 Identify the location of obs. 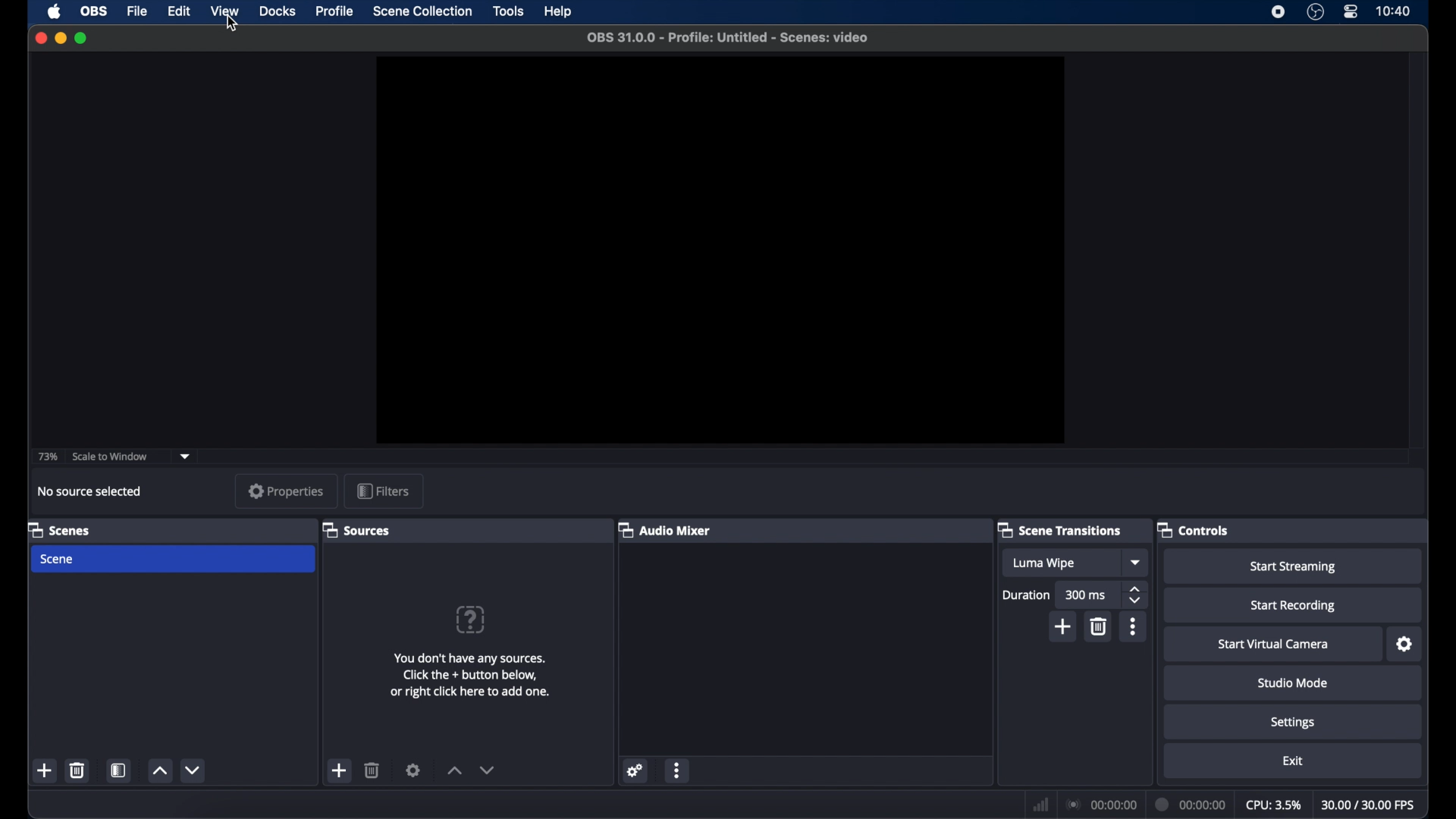
(93, 11).